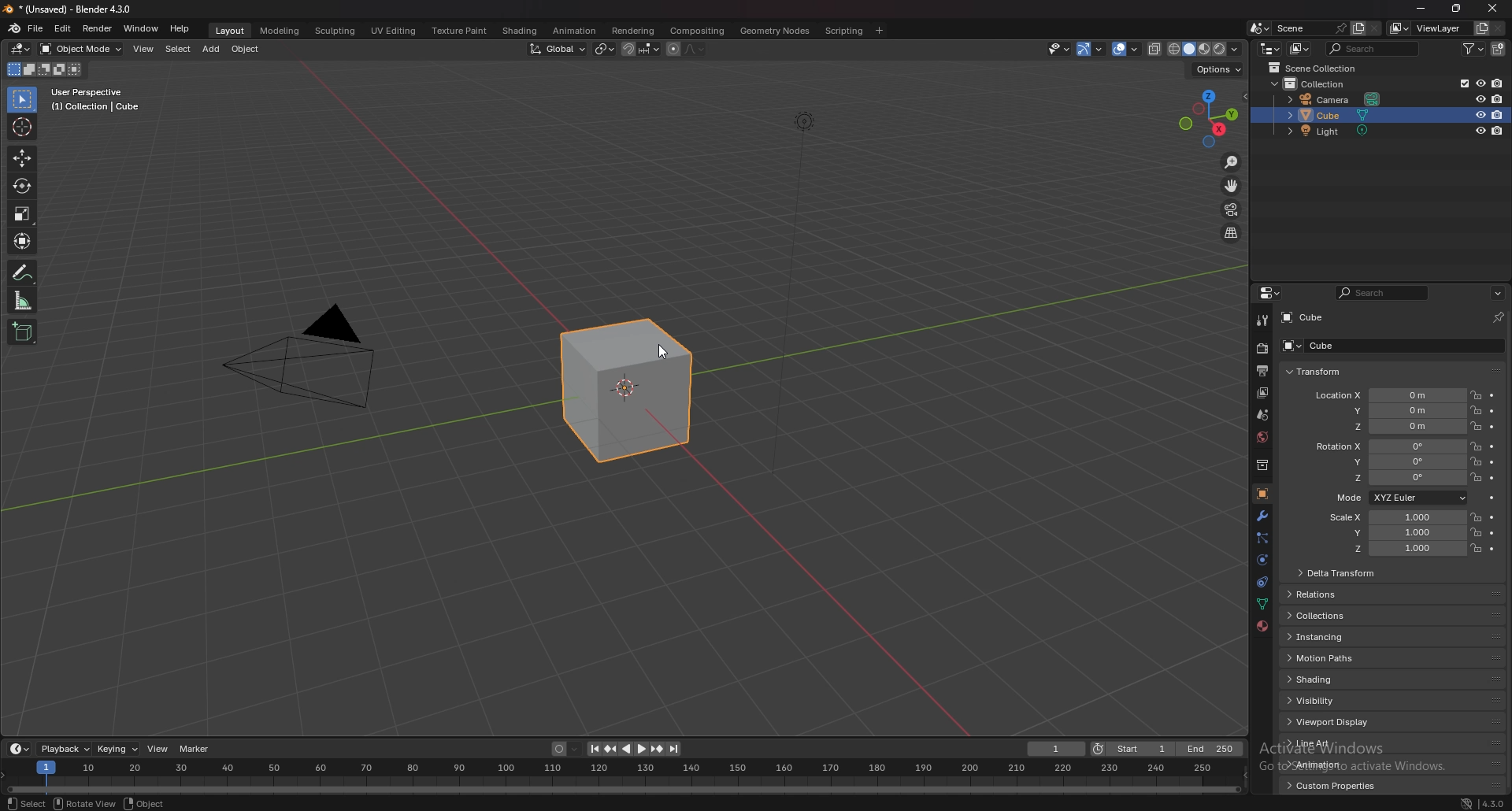 The width and height of the screenshot is (1512, 811). Describe the element at coordinates (1394, 517) in the screenshot. I see `scale x` at that location.